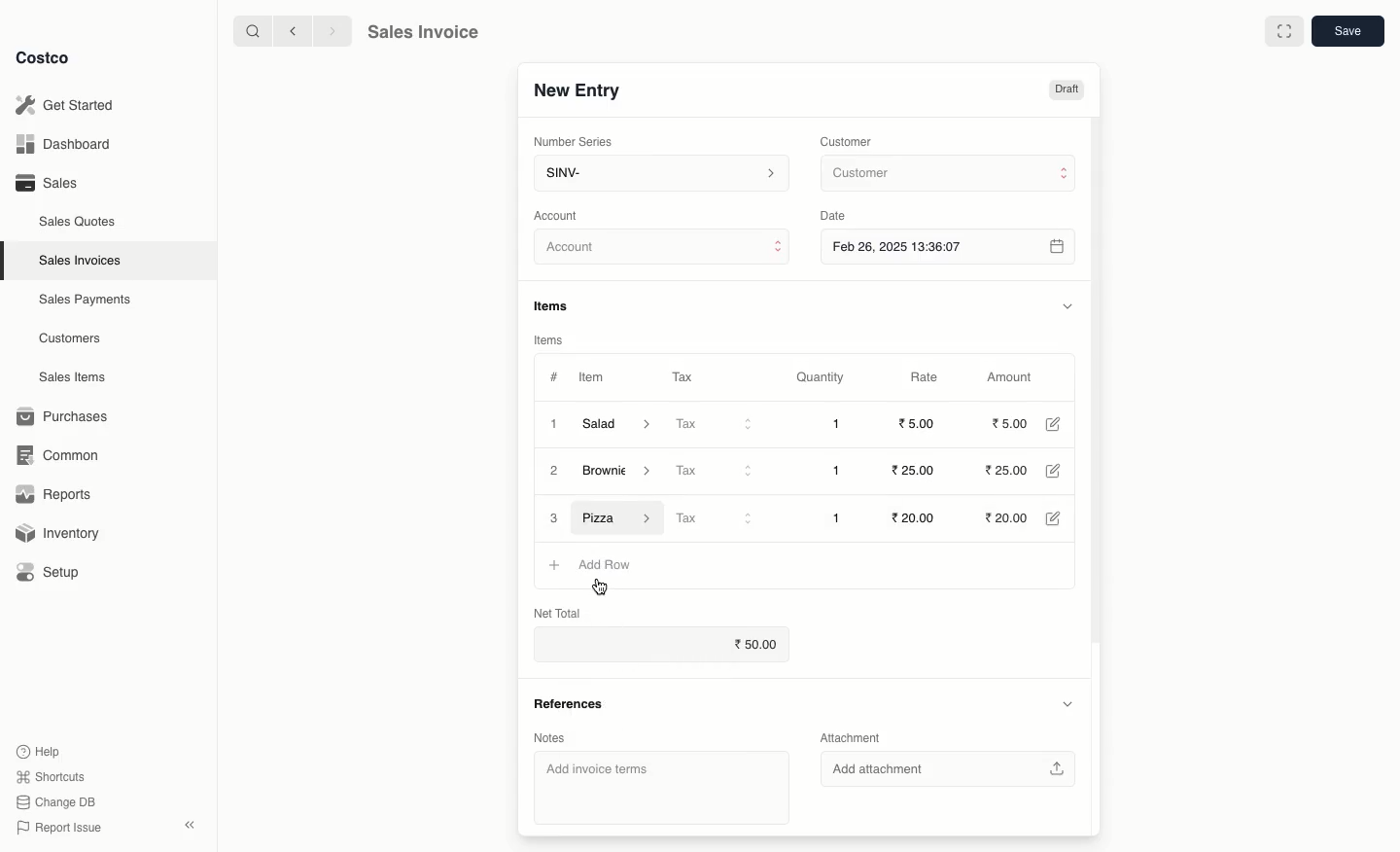 This screenshot has width=1400, height=852. Describe the element at coordinates (1052, 424) in the screenshot. I see `Edit` at that location.